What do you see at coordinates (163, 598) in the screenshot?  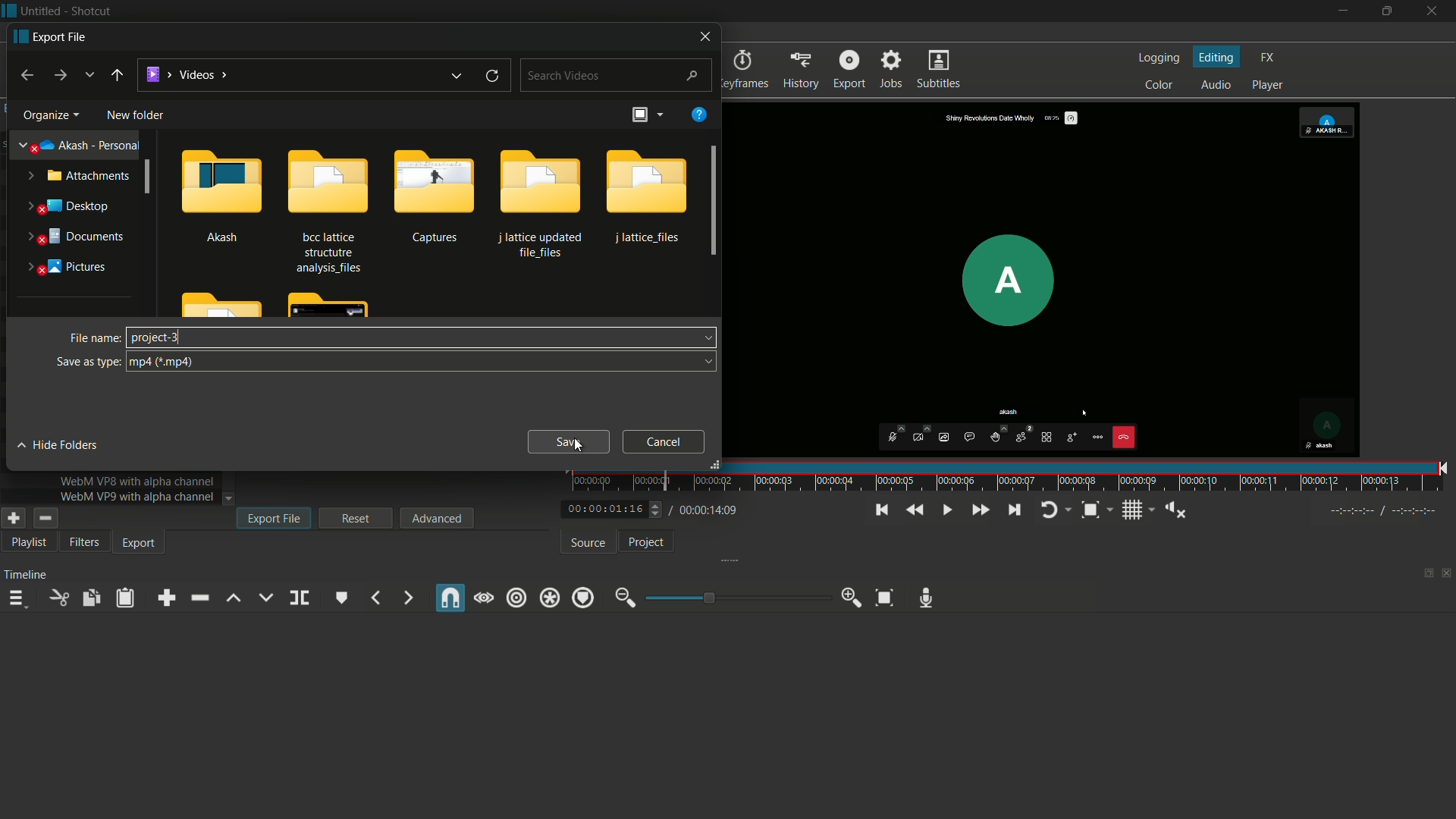 I see `append` at bounding box center [163, 598].